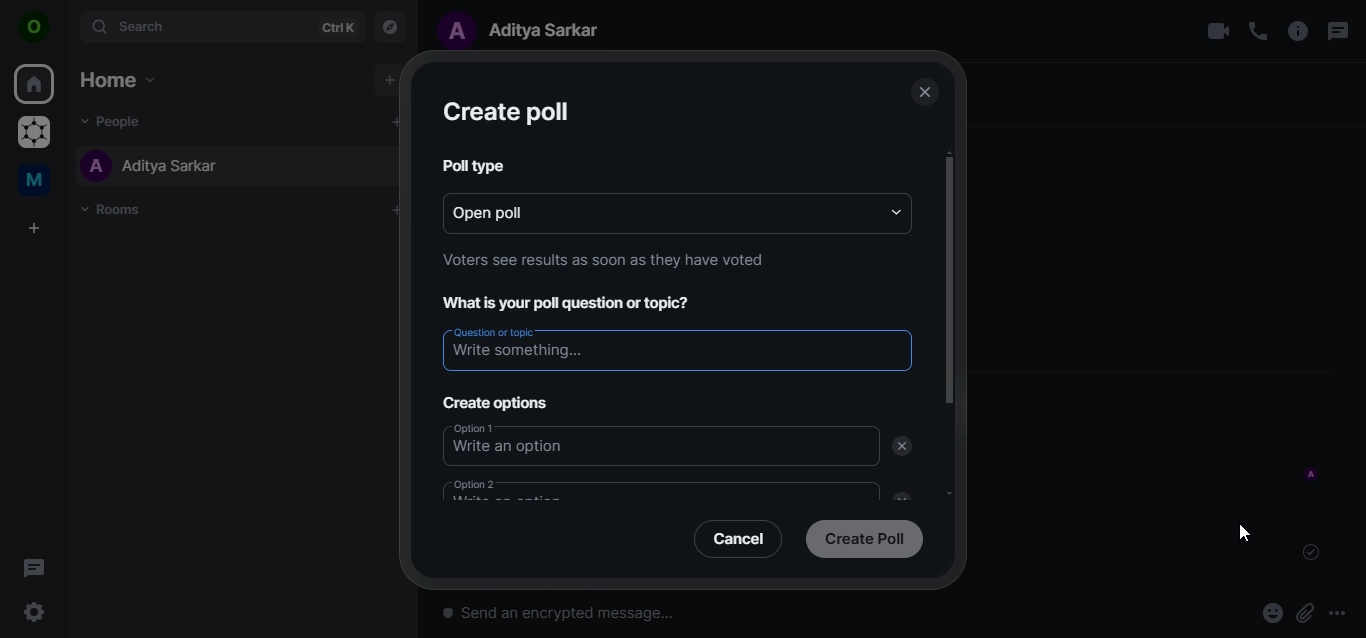  I want to click on close, so click(923, 93).